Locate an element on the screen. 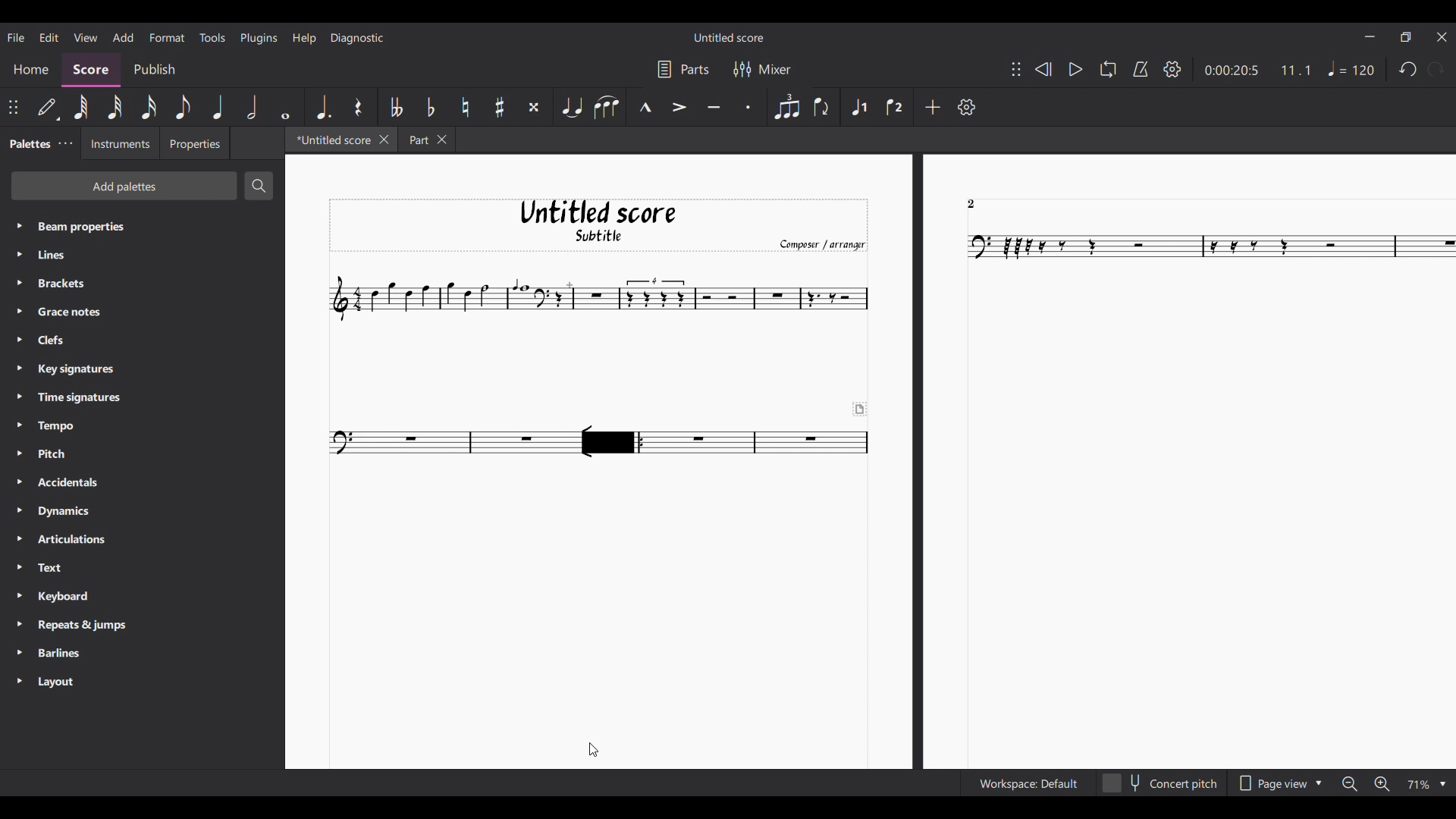  Parts settings is located at coordinates (684, 69).